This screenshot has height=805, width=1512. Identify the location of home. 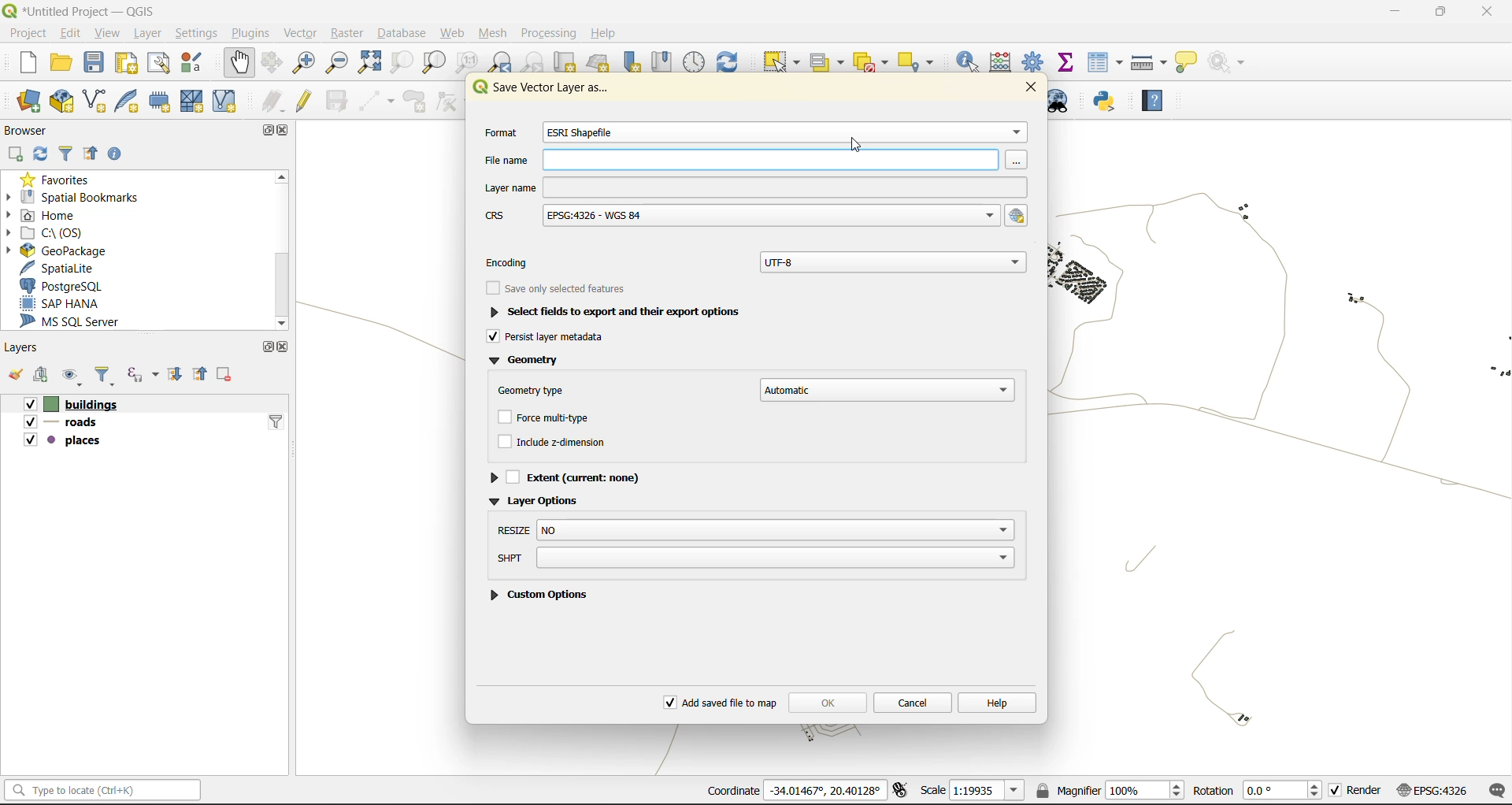
(46, 216).